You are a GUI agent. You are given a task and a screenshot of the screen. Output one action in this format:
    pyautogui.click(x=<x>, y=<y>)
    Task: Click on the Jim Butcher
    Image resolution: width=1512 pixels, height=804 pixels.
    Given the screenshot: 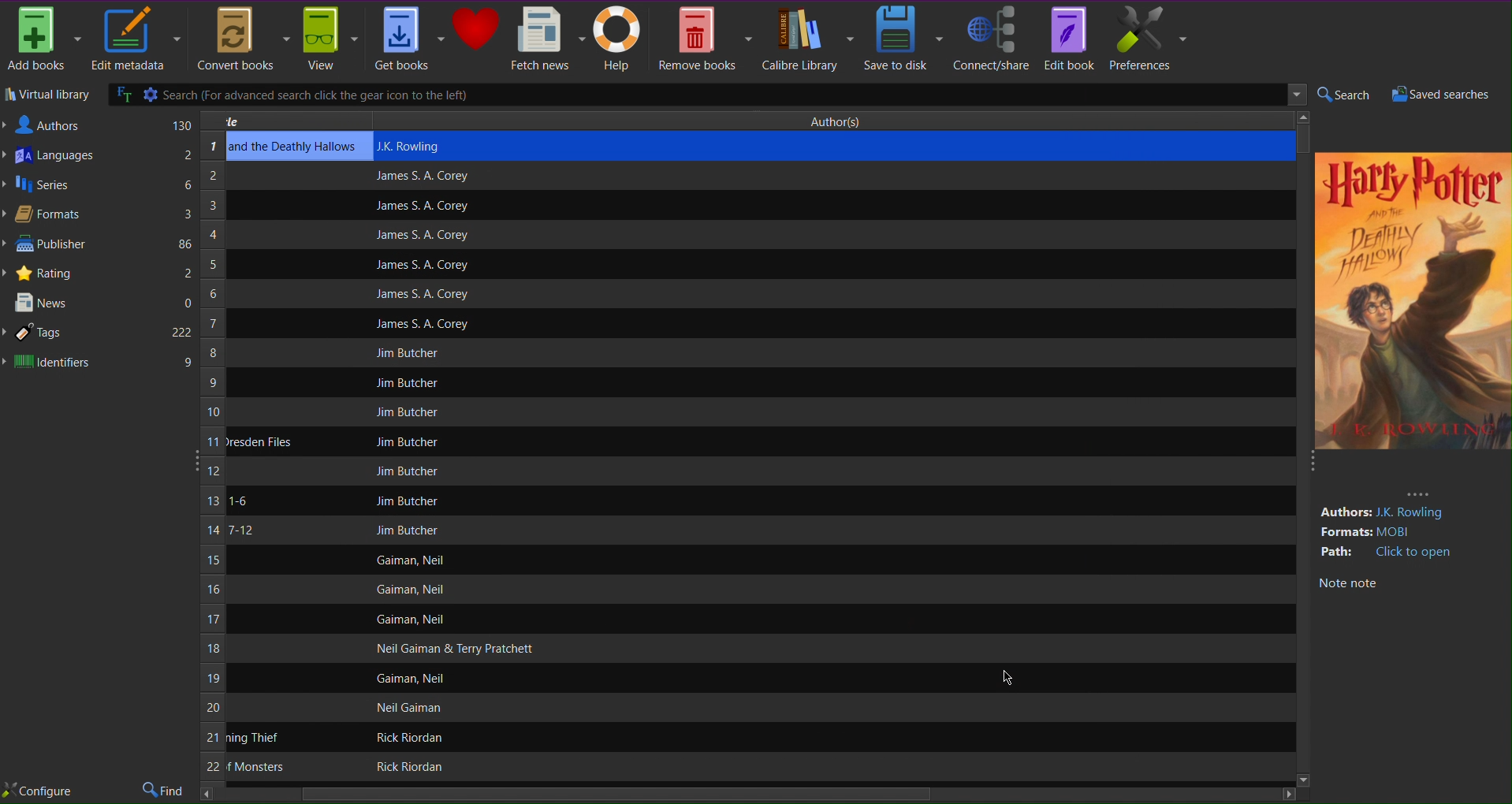 What is the action you would take?
    pyautogui.click(x=407, y=412)
    